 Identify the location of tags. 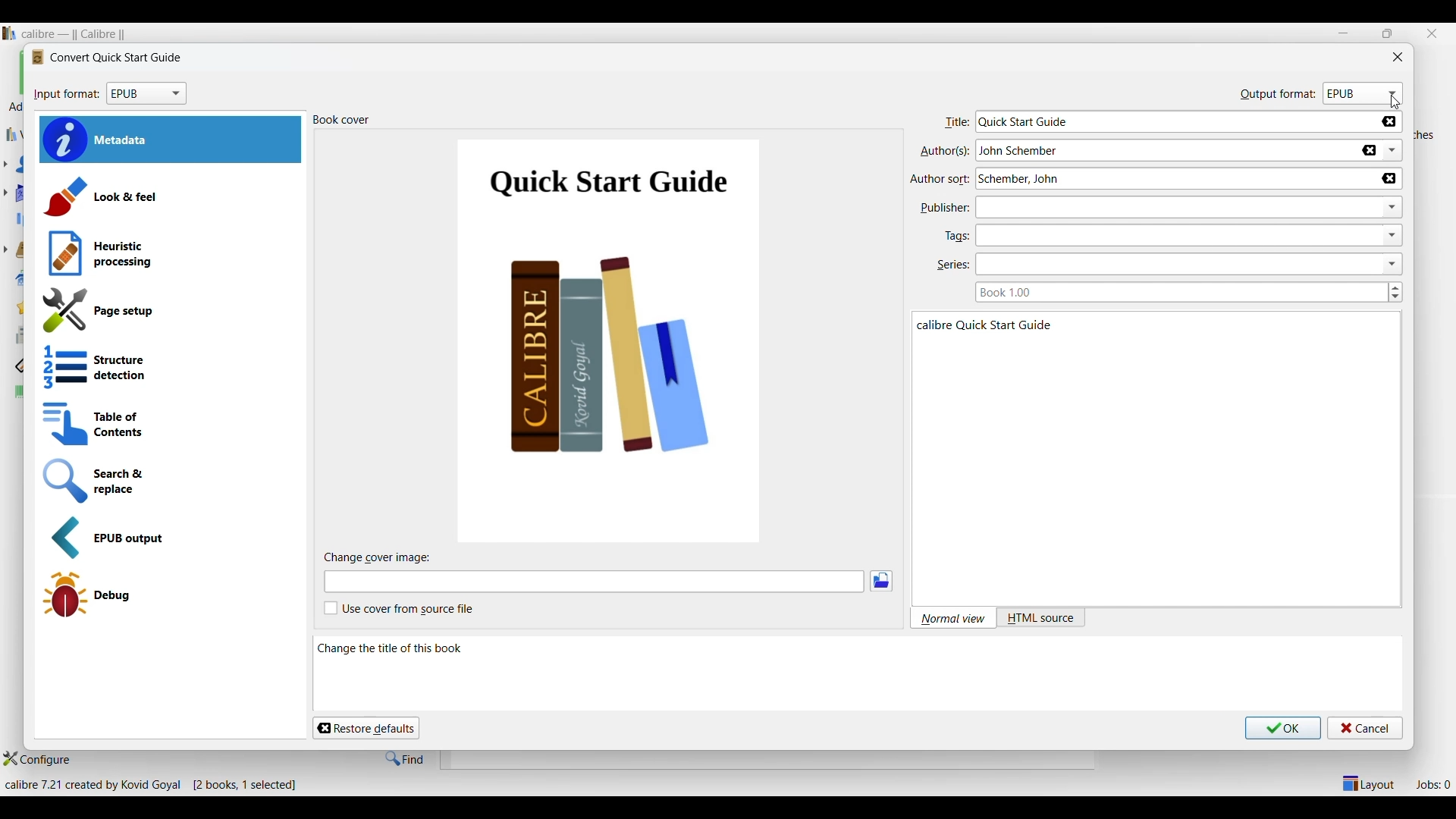
(956, 235).